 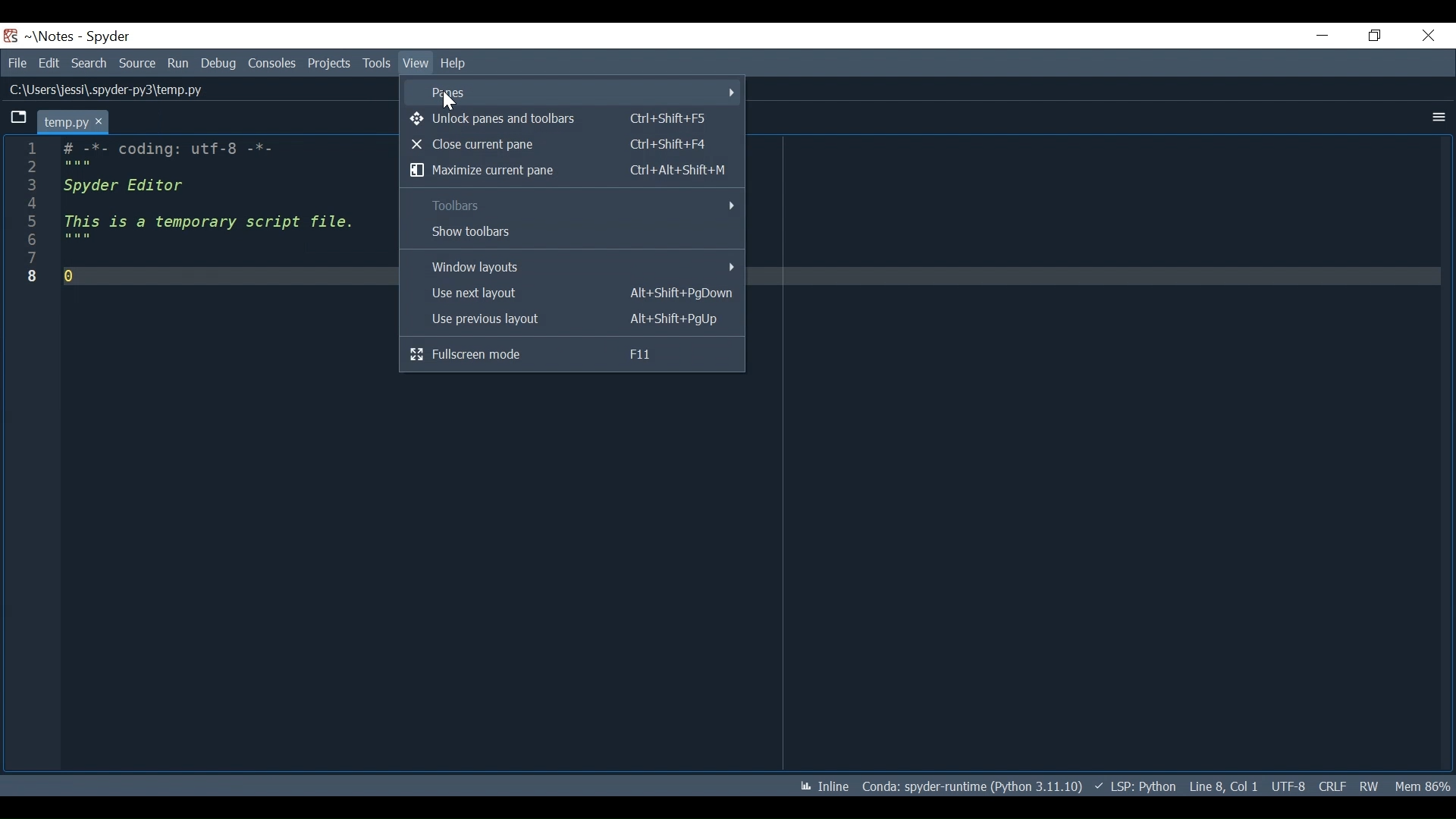 I want to click on Search, so click(x=89, y=63).